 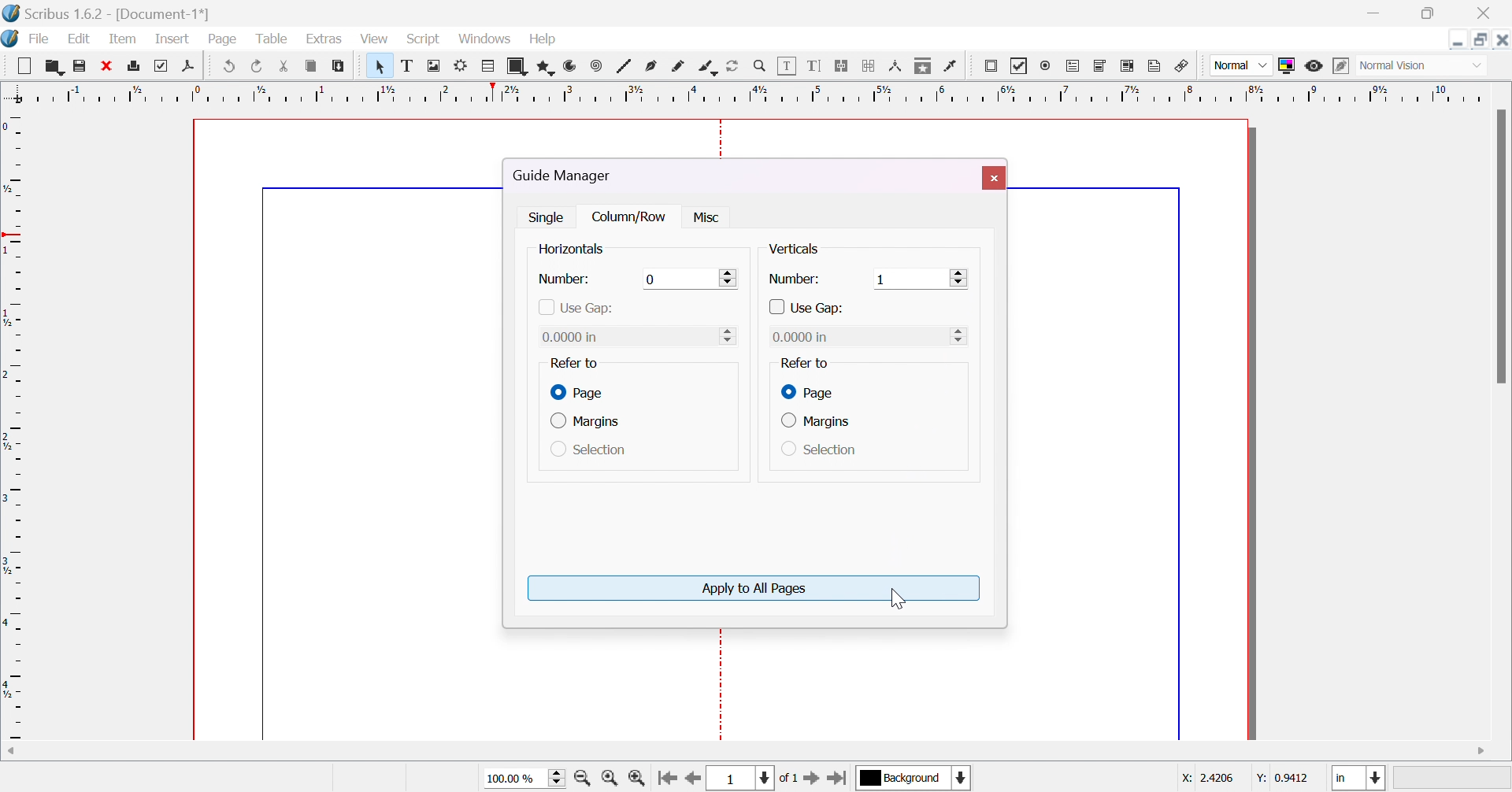 What do you see at coordinates (869, 66) in the screenshot?
I see `unlink text frames` at bounding box center [869, 66].